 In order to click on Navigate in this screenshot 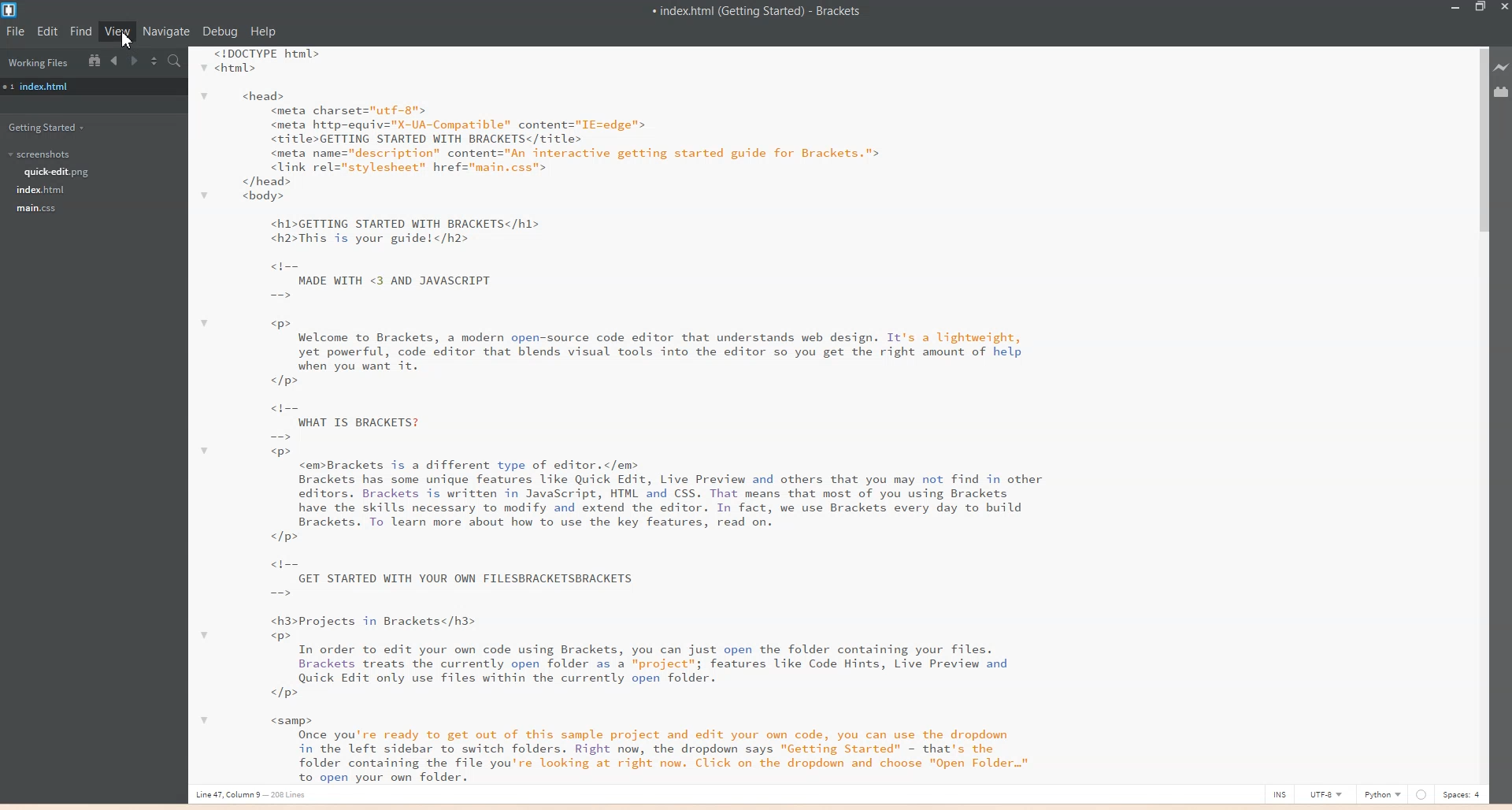, I will do `click(168, 32)`.